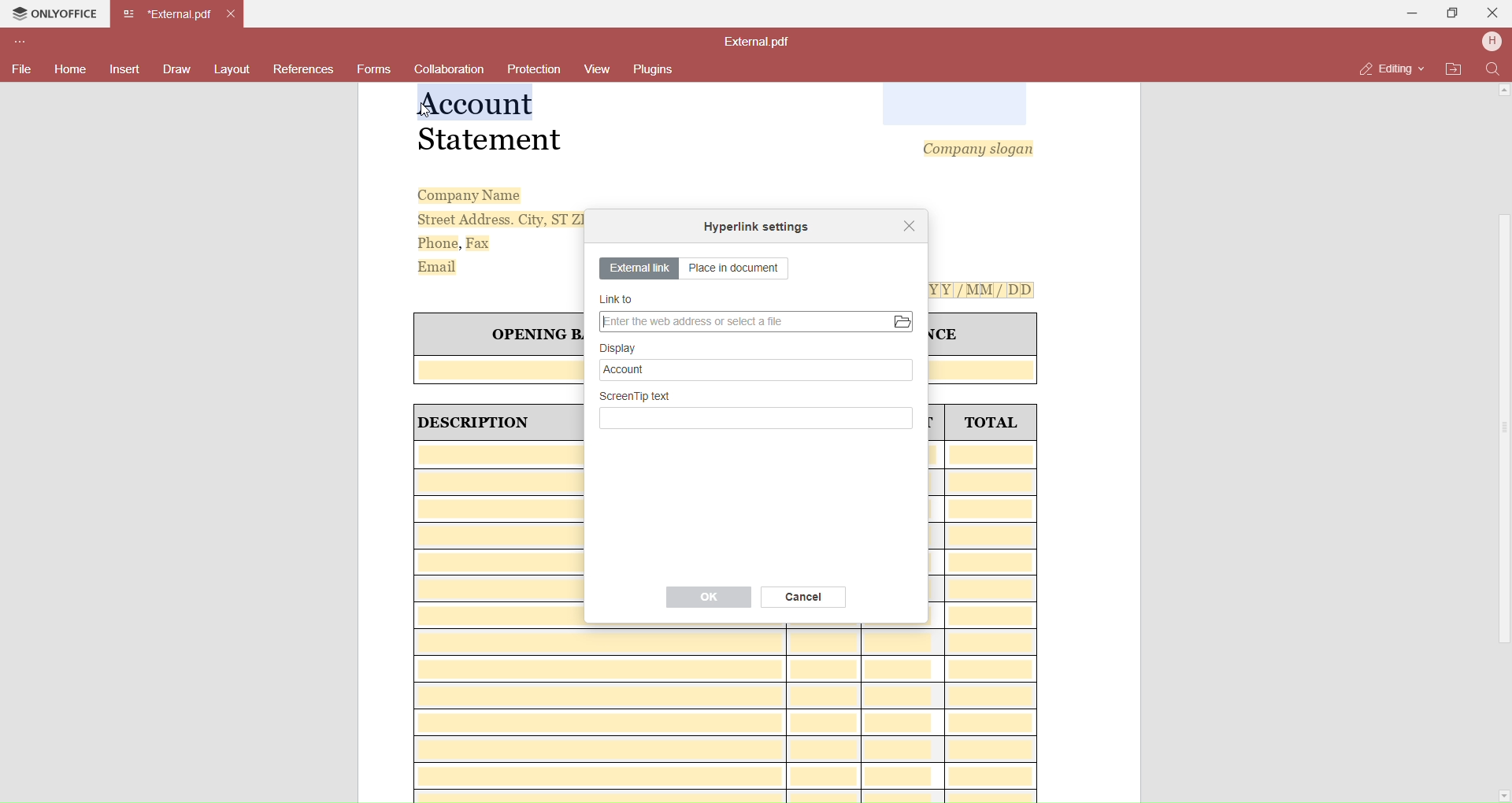 The width and height of the screenshot is (1512, 803). What do you see at coordinates (535, 72) in the screenshot?
I see `Protection` at bounding box center [535, 72].